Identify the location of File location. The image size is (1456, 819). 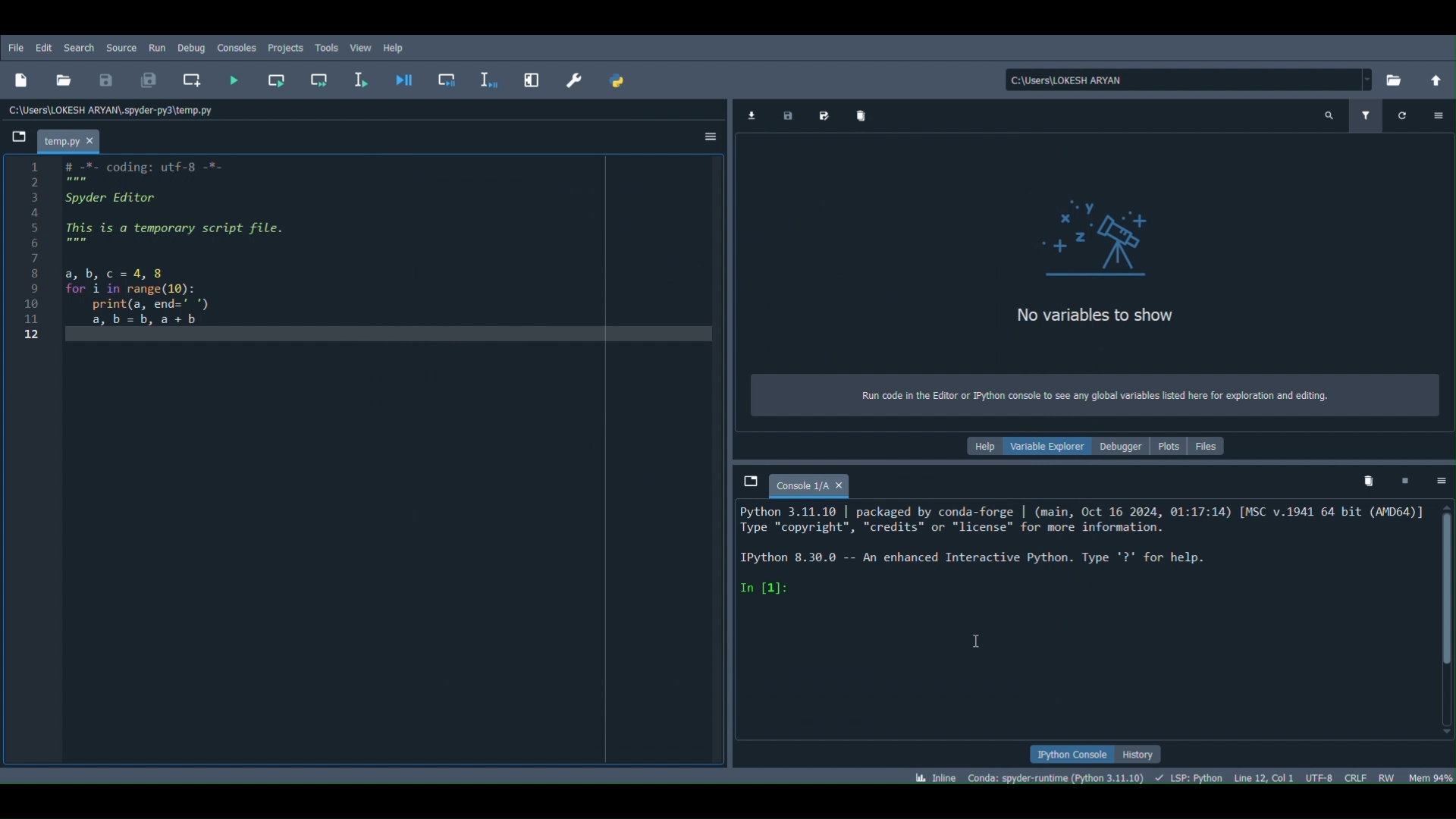
(1185, 77).